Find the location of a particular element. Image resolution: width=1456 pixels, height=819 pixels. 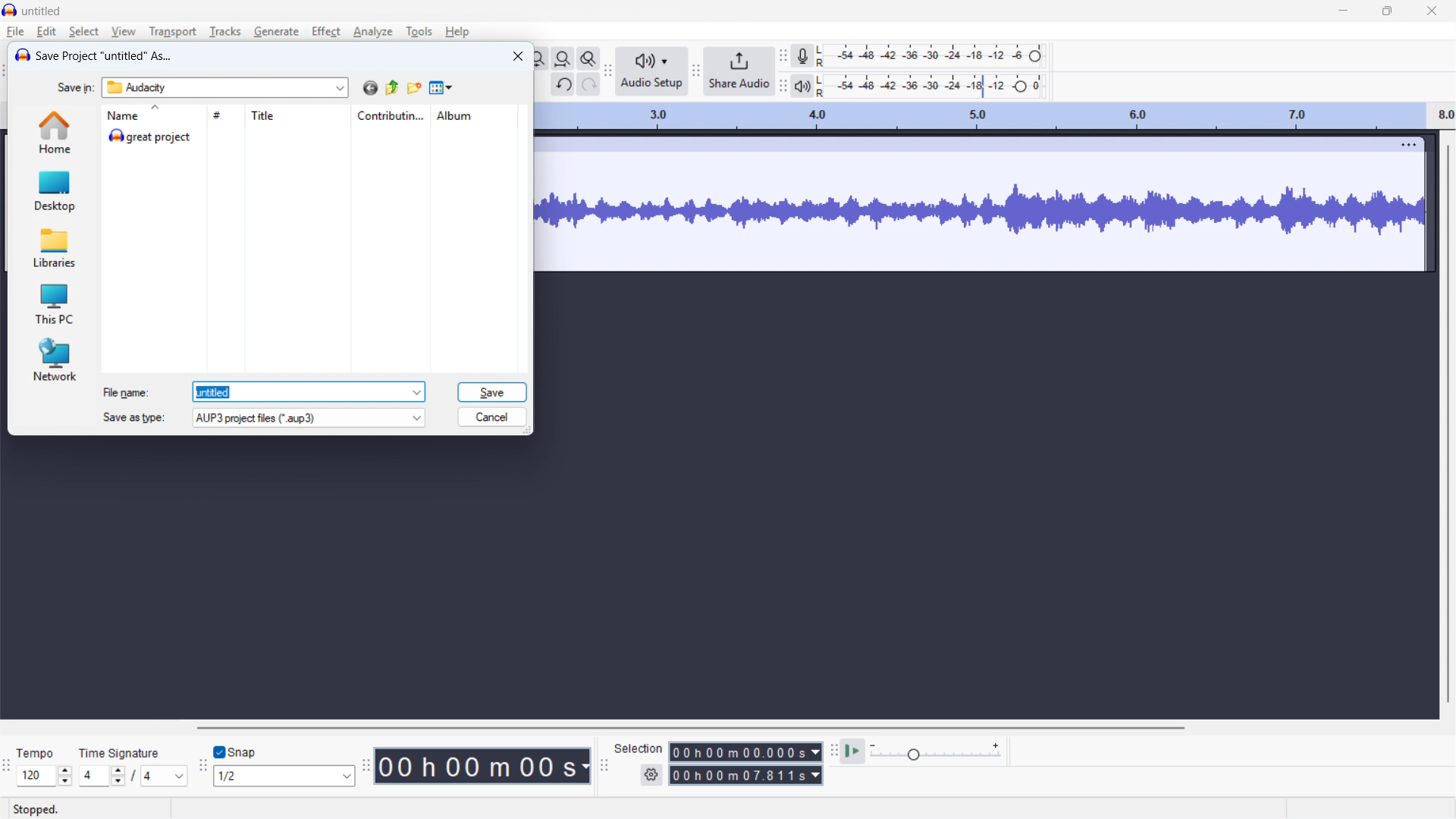

network is located at coordinates (54, 359).